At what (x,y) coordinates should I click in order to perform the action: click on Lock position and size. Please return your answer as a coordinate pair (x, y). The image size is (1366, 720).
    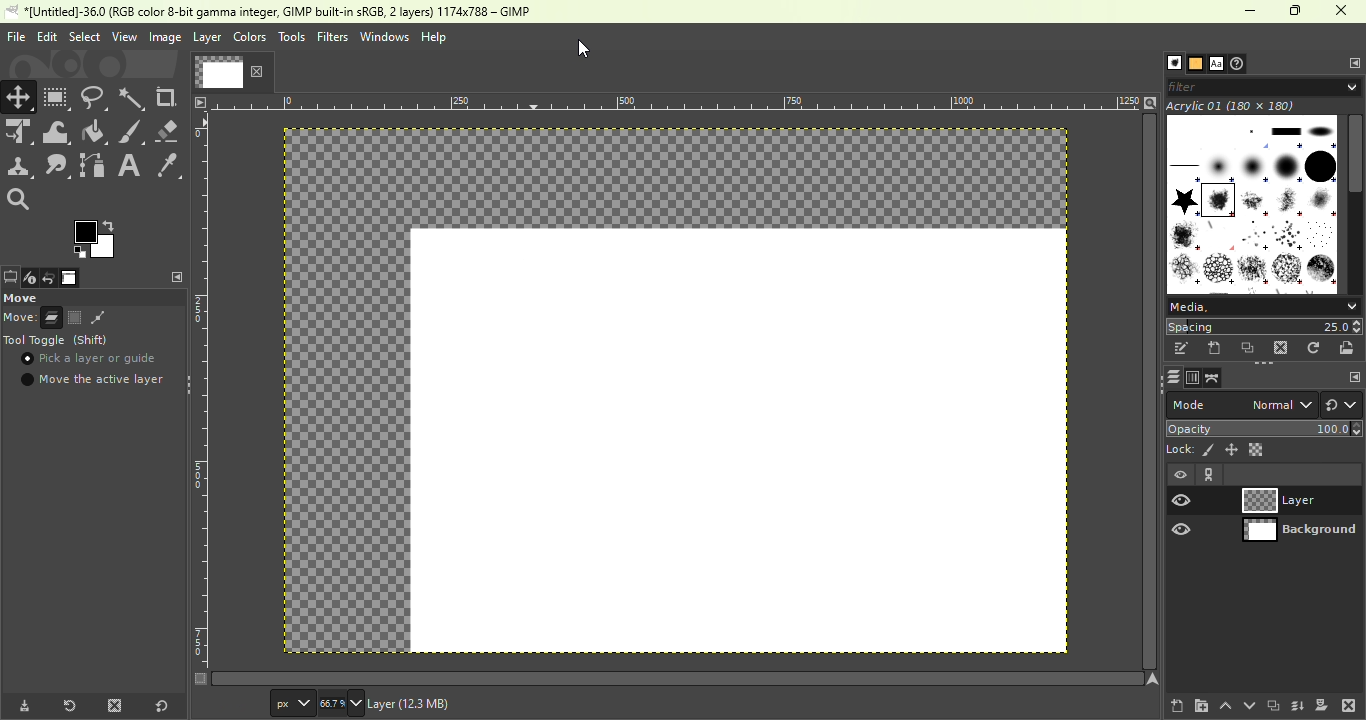
    Looking at the image, I should click on (1231, 450).